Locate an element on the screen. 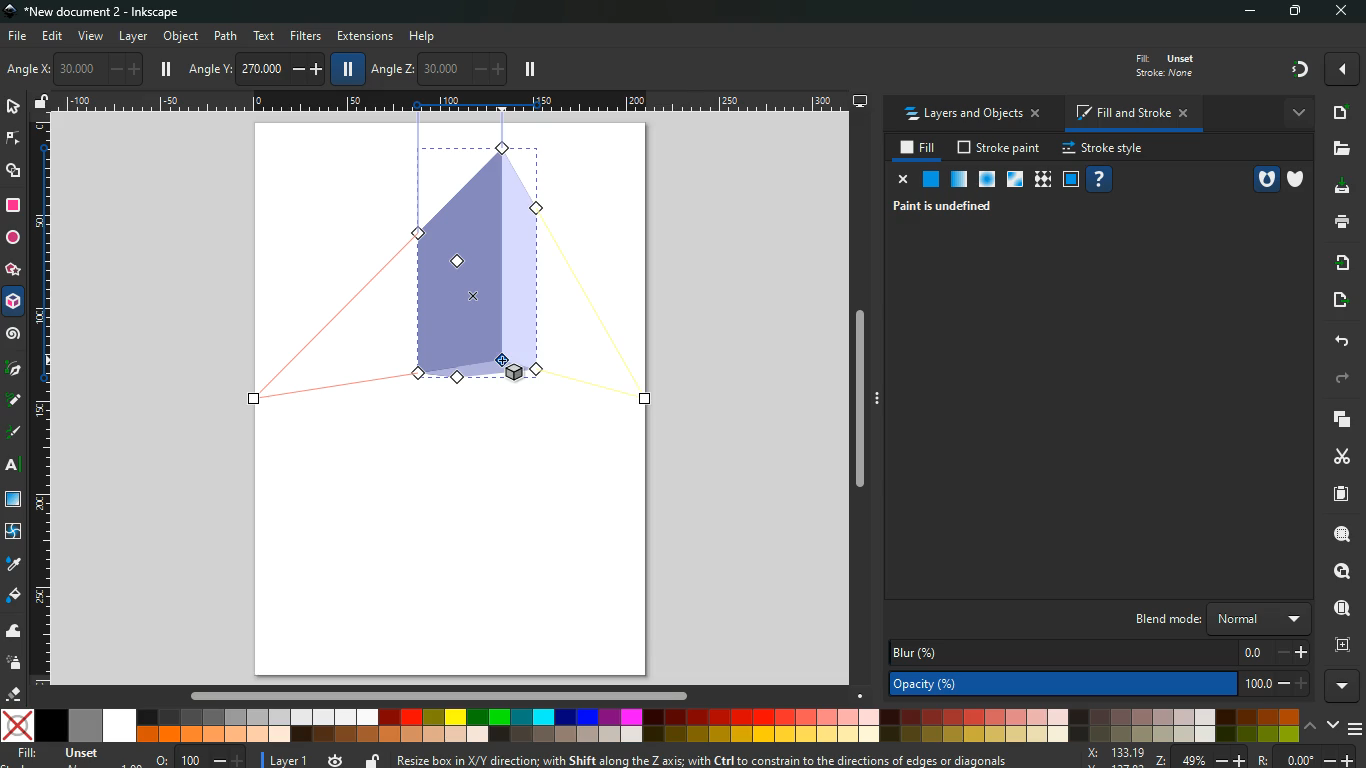 The height and width of the screenshot is (768, 1366). fill is located at coordinates (69, 755).